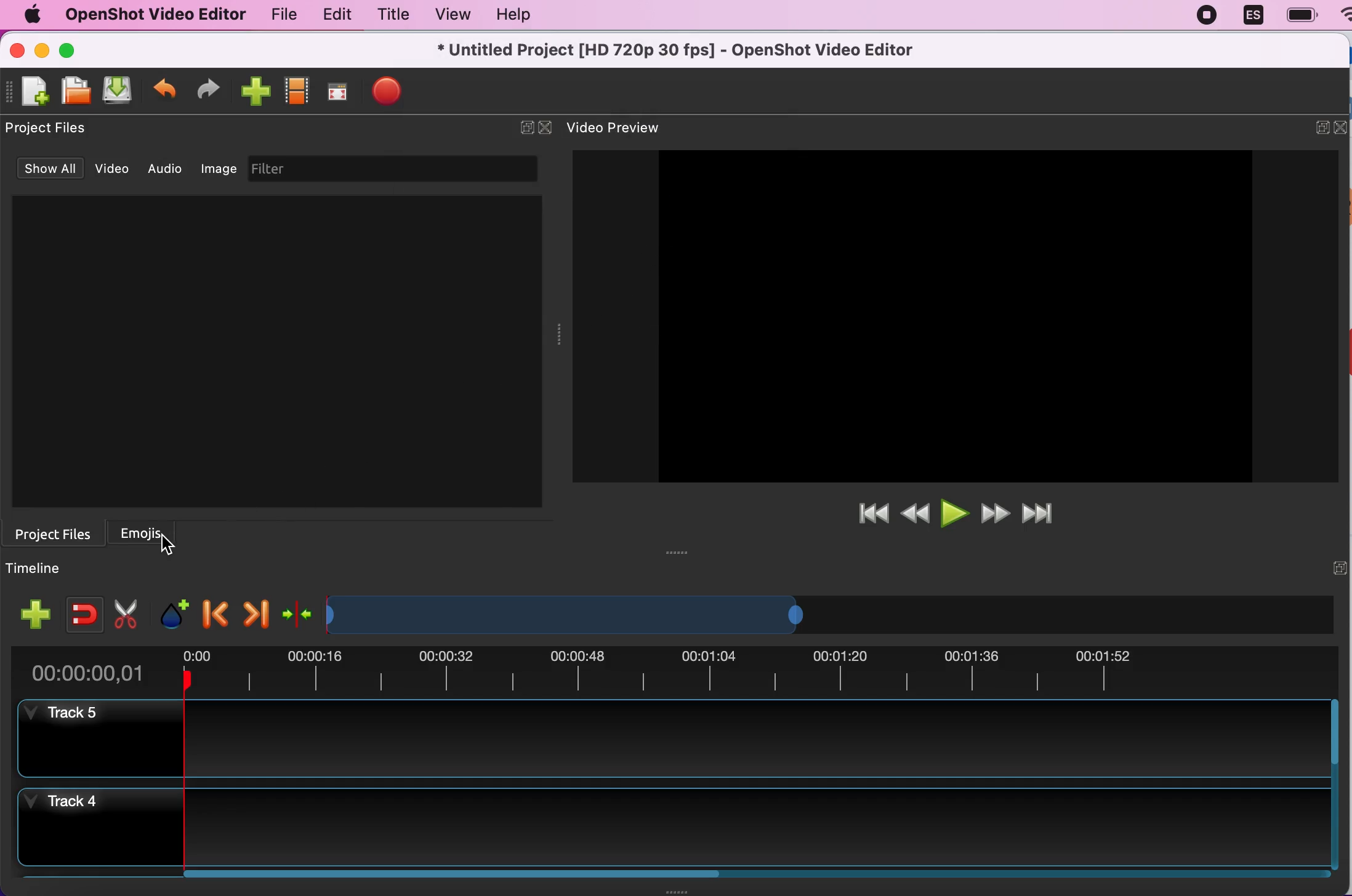 The image size is (1352, 896). What do you see at coordinates (118, 91) in the screenshot?
I see `save file` at bounding box center [118, 91].